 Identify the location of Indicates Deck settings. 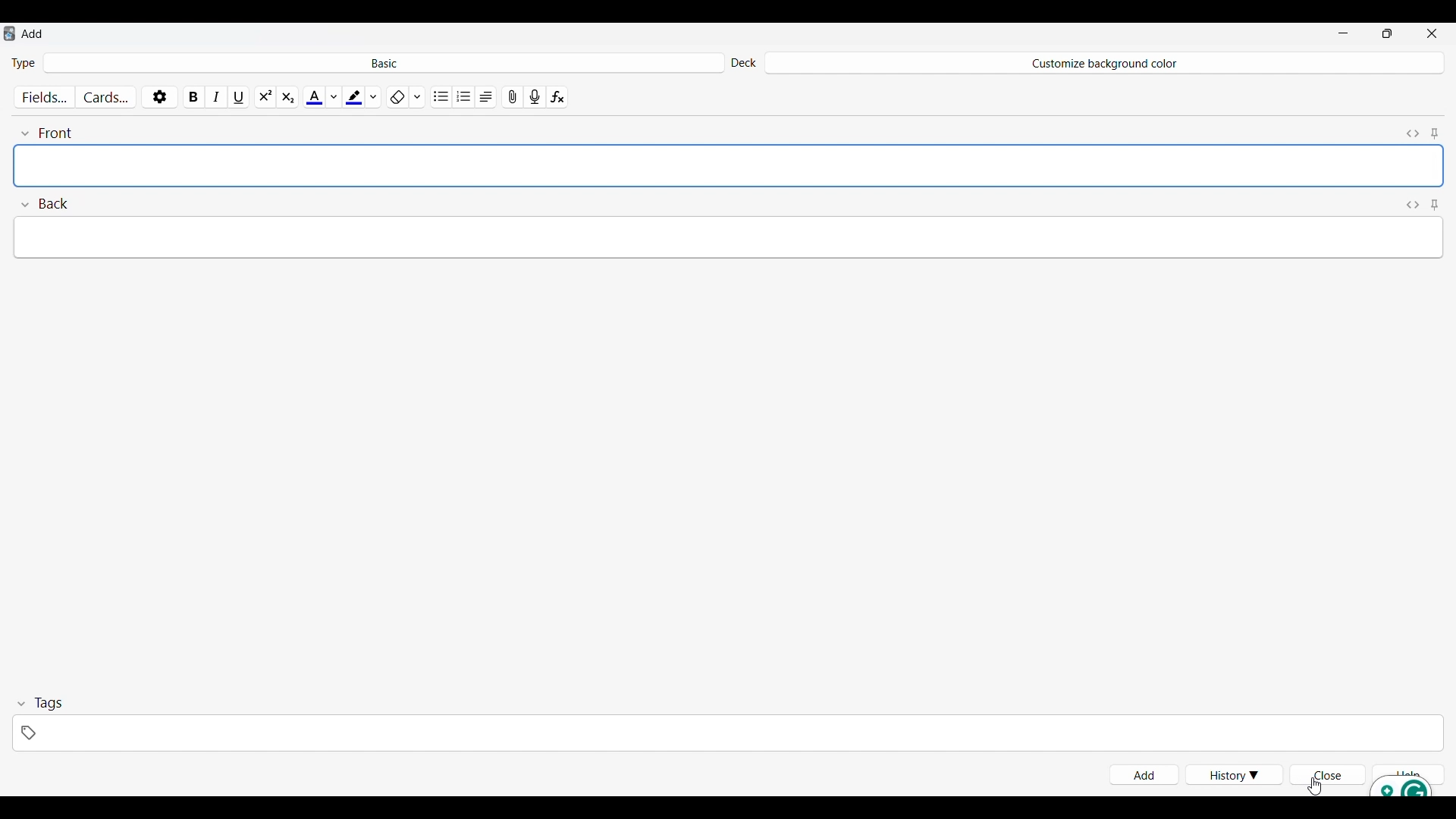
(743, 63).